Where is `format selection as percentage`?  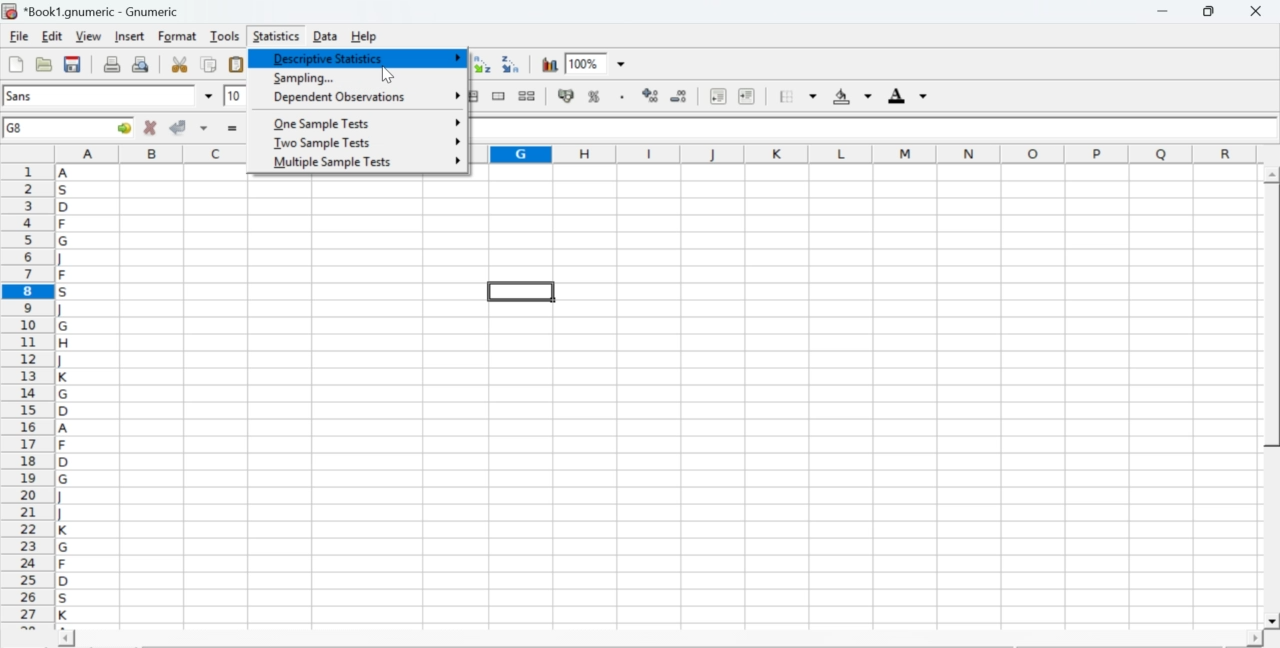
format selection as percentage is located at coordinates (592, 96).